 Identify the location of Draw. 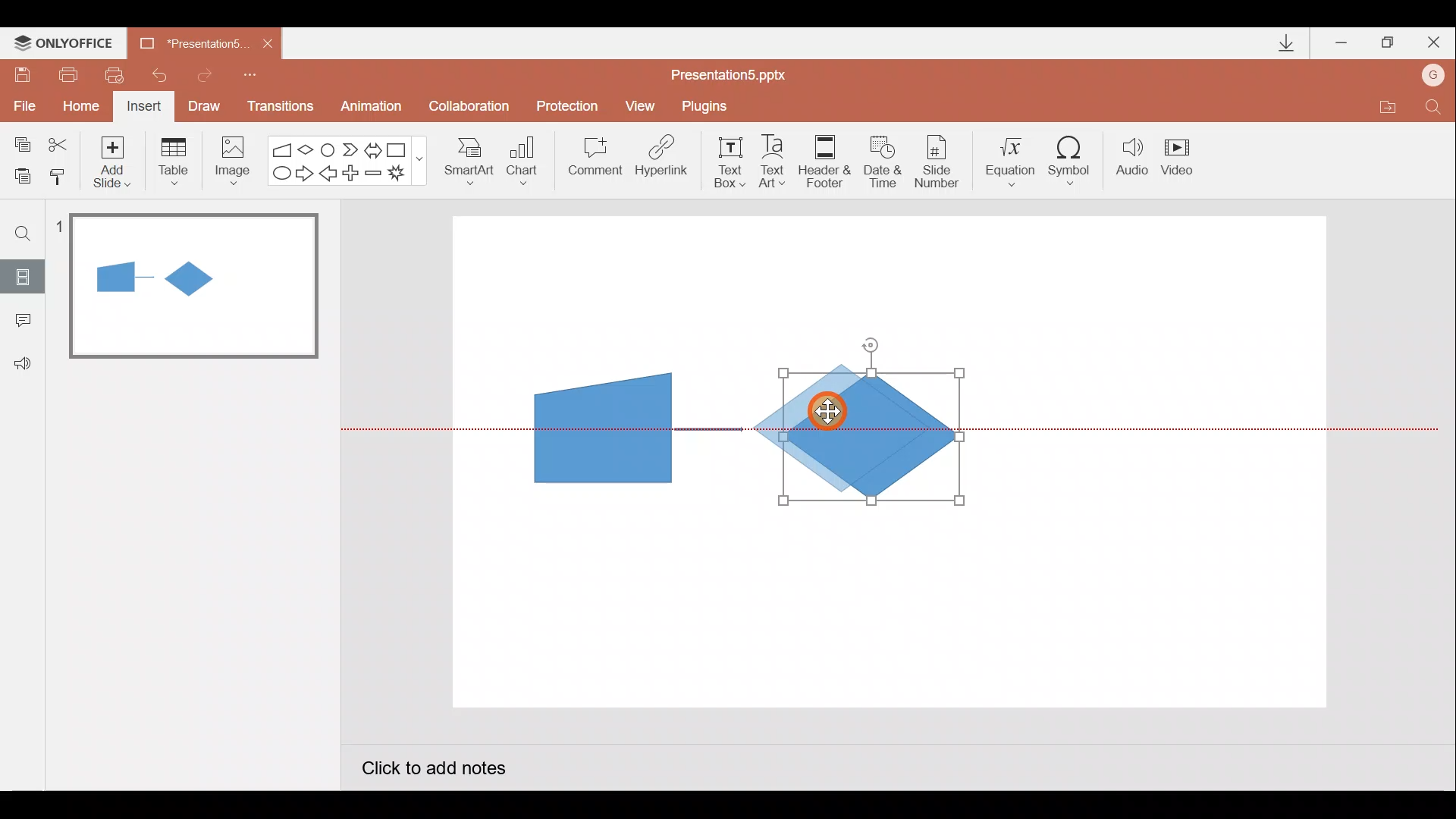
(205, 105).